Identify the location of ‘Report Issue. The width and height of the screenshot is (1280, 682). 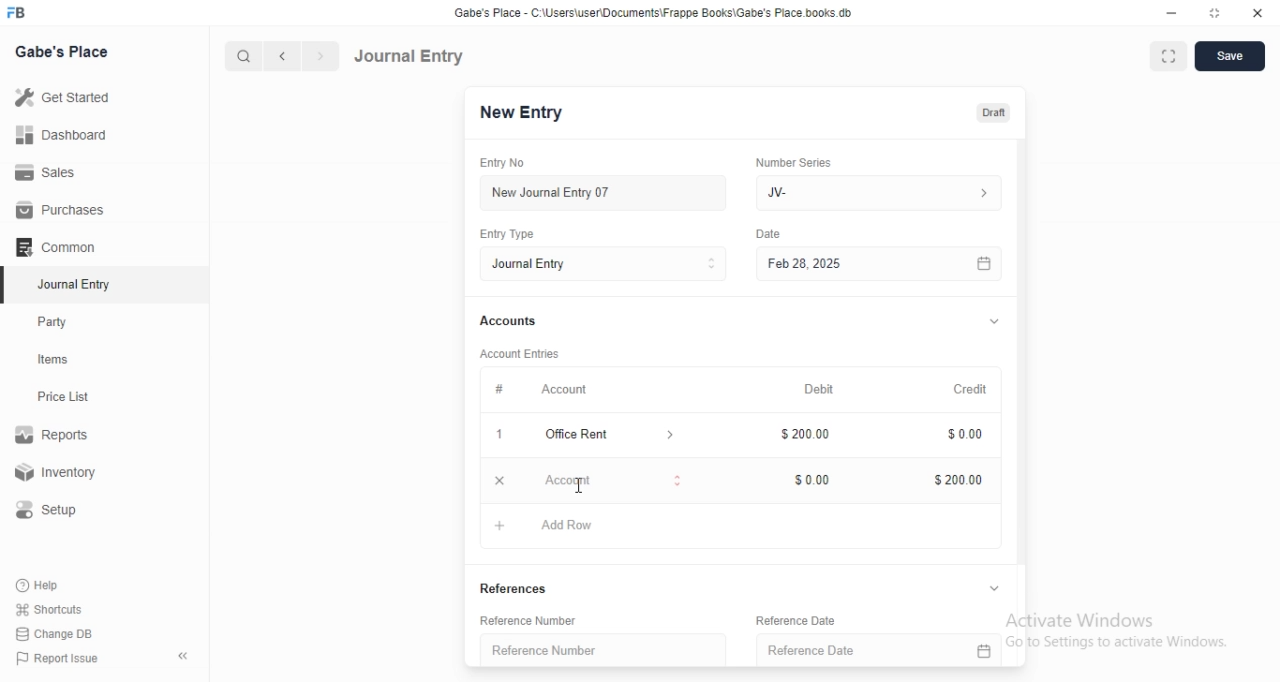
(55, 658).